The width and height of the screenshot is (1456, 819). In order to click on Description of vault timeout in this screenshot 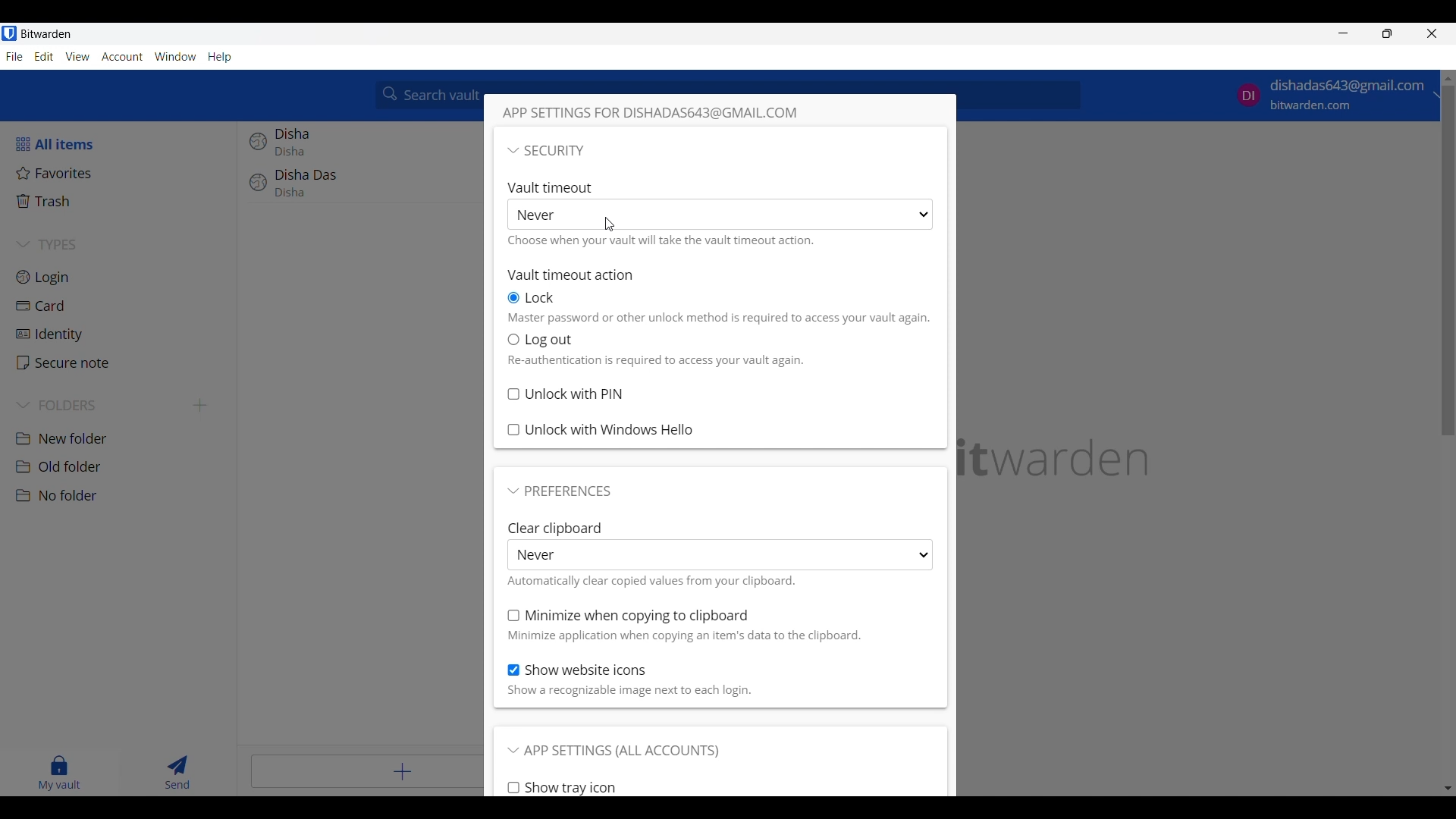, I will do `click(664, 241)`.